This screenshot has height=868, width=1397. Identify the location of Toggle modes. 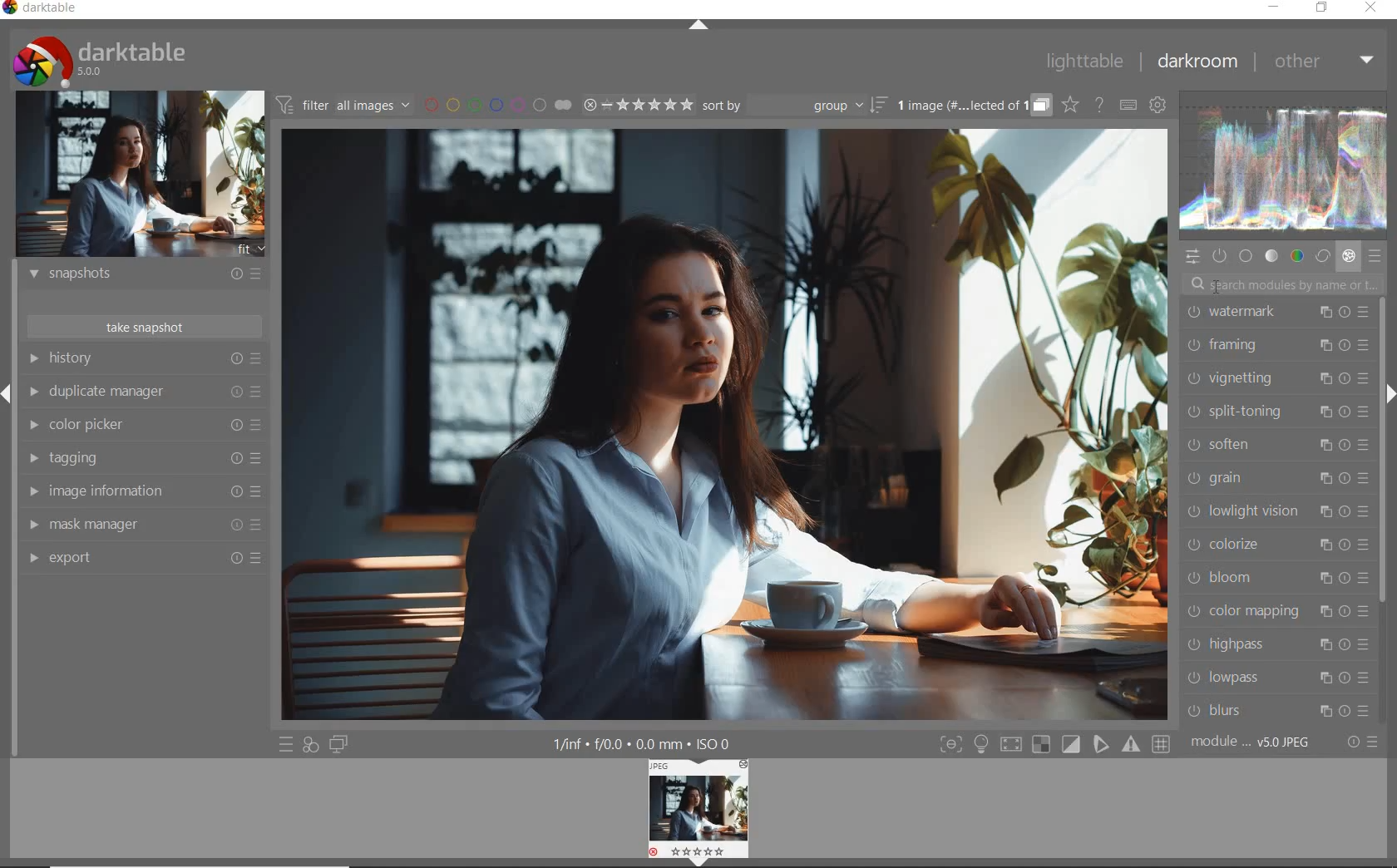
(1054, 744).